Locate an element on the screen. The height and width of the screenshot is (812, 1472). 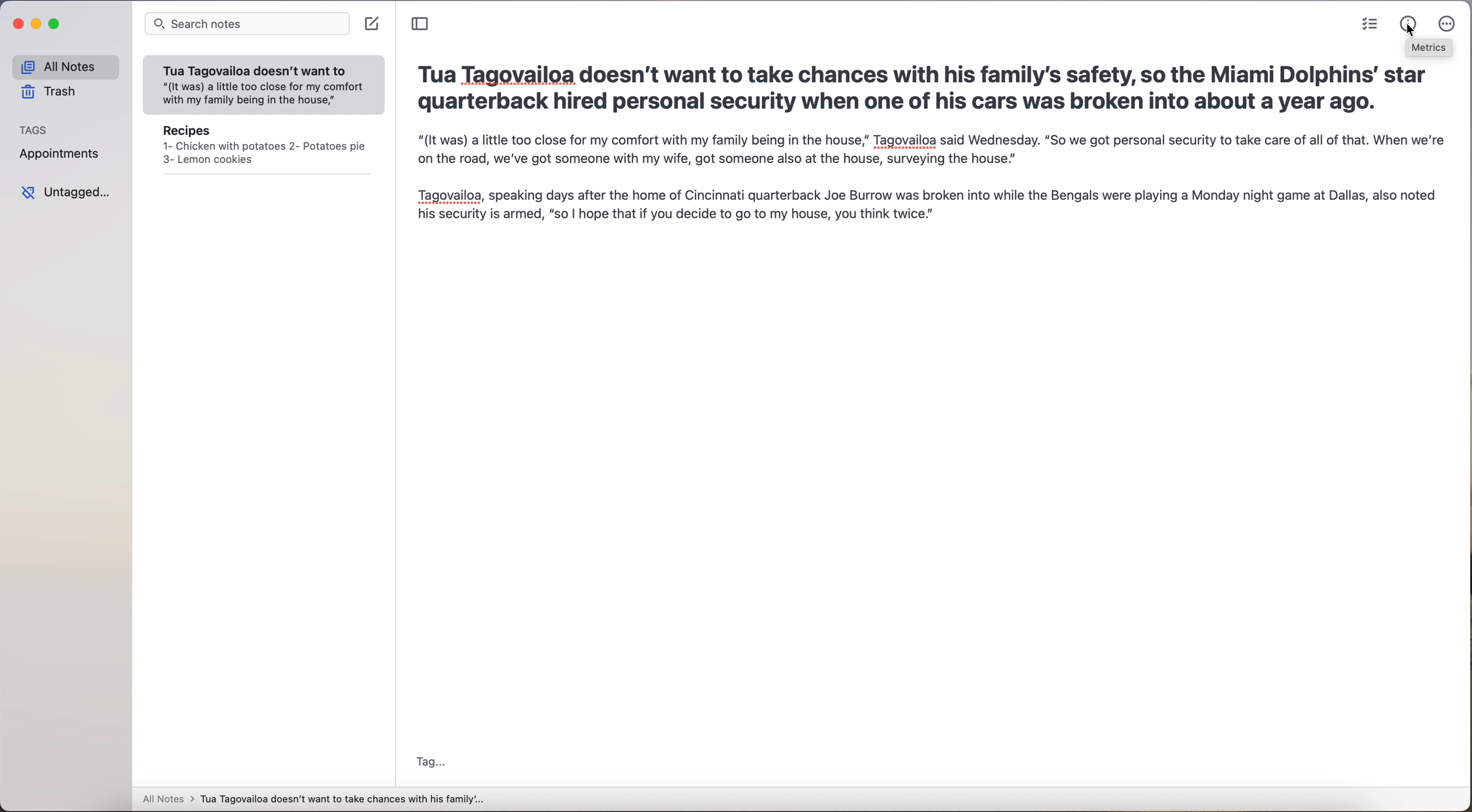
check list is located at coordinates (1366, 25).